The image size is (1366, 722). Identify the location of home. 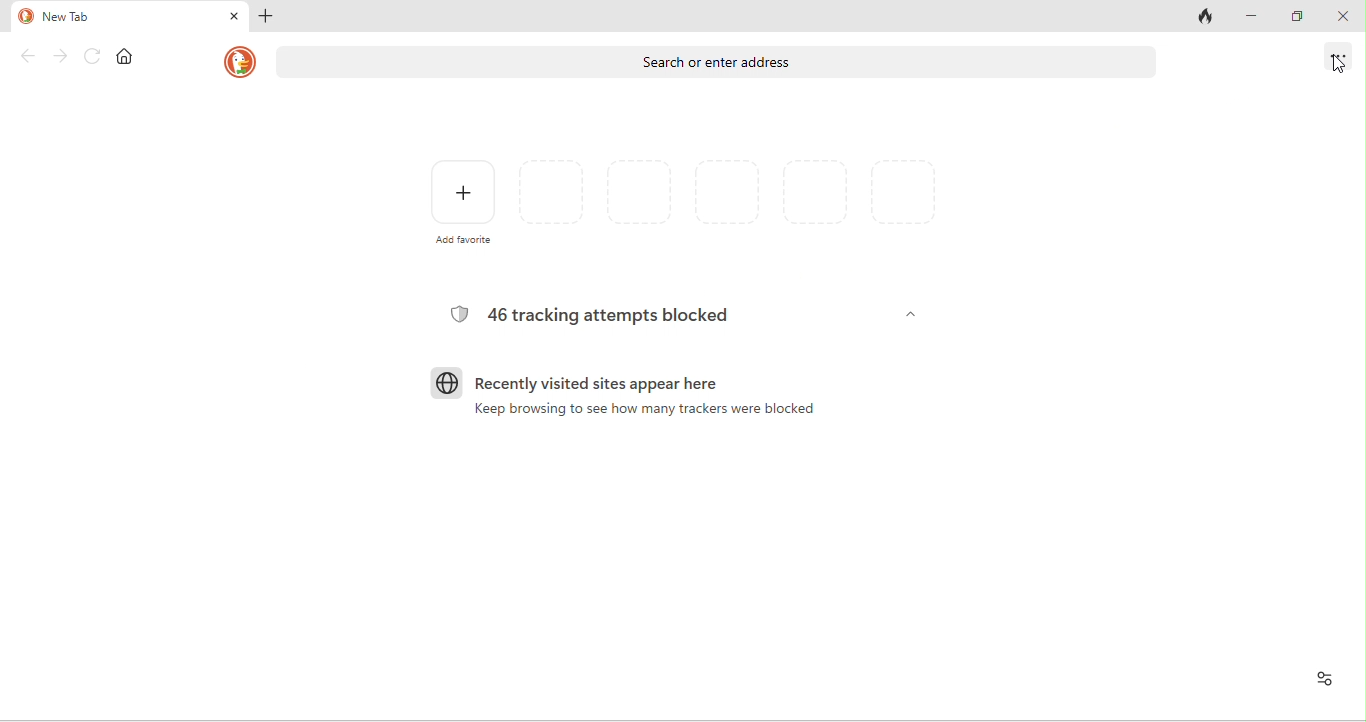
(125, 58).